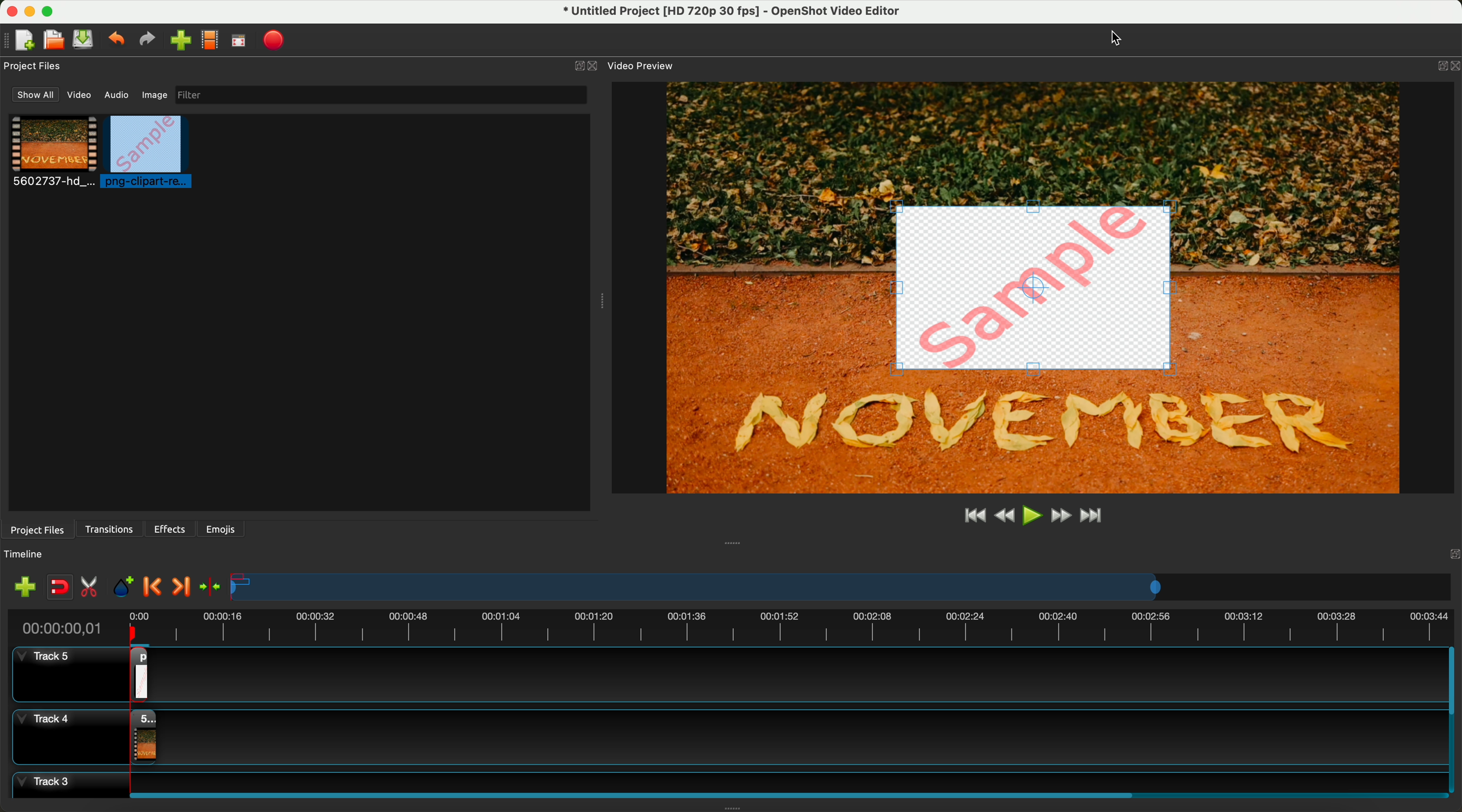 The width and height of the screenshot is (1462, 812). What do you see at coordinates (1032, 515) in the screenshot?
I see `play` at bounding box center [1032, 515].